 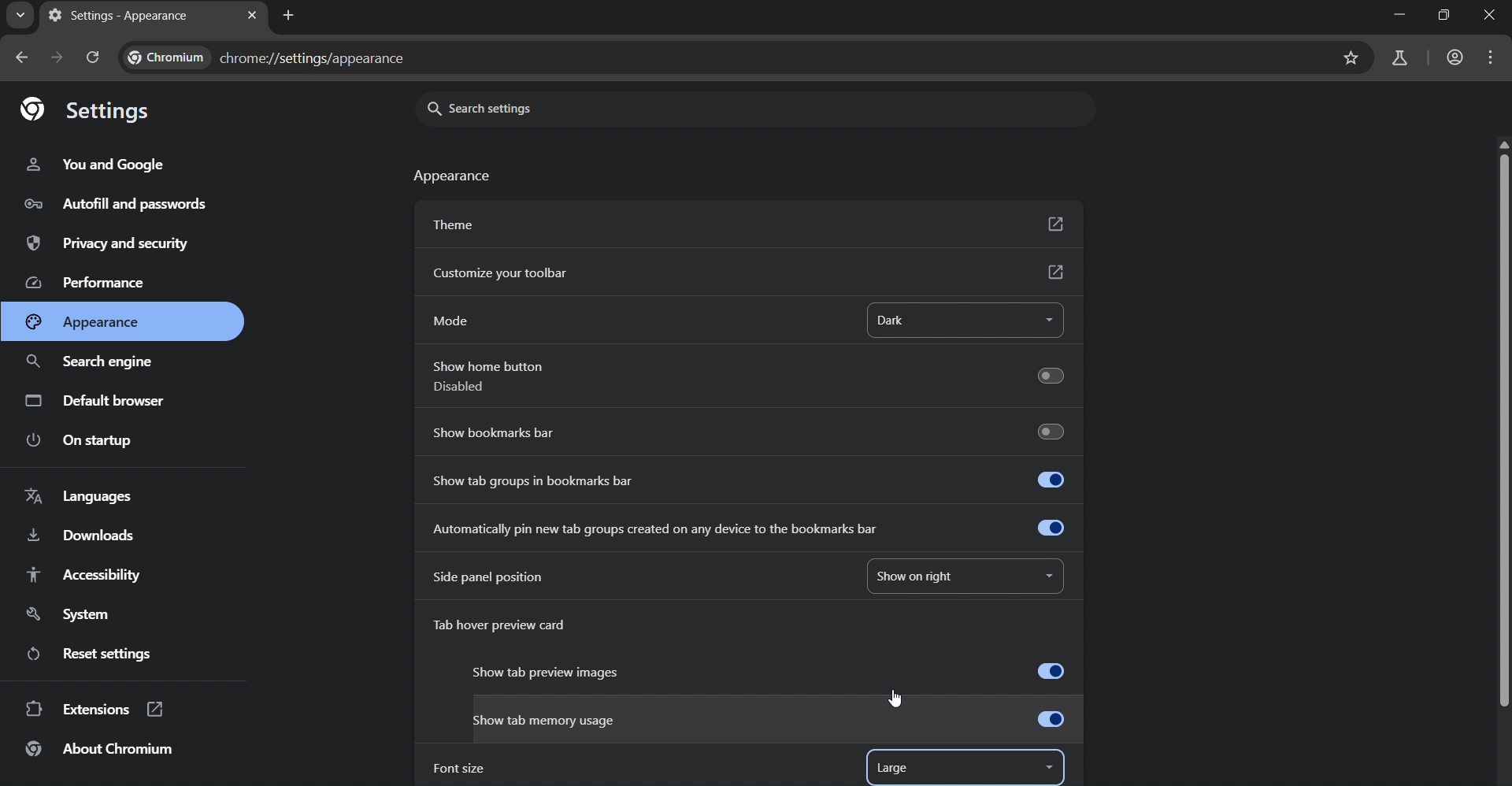 What do you see at coordinates (103, 162) in the screenshot?
I see `you & google` at bounding box center [103, 162].